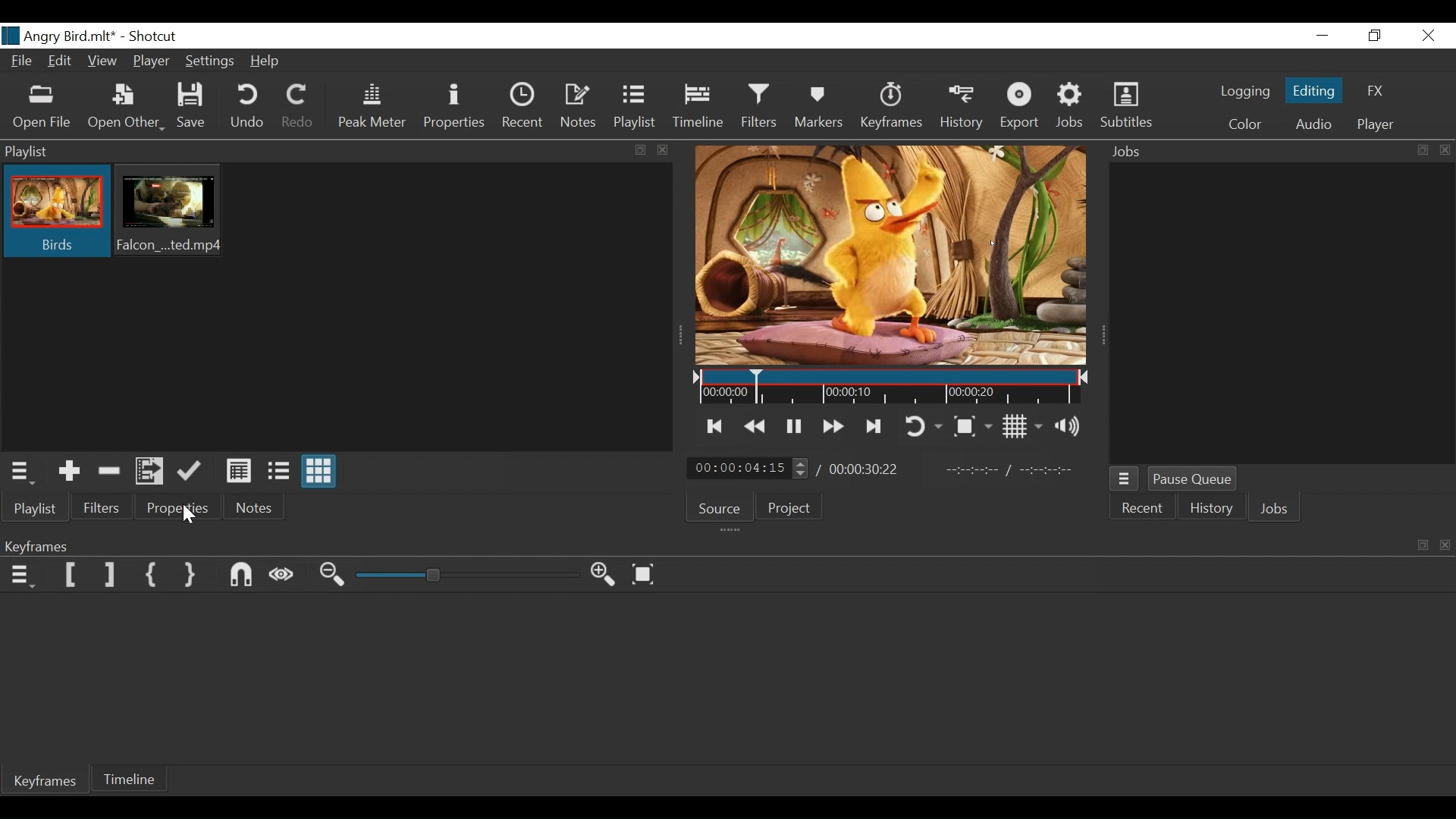 This screenshot has height=819, width=1456. What do you see at coordinates (607, 577) in the screenshot?
I see `Zoom keyframe in` at bounding box center [607, 577].